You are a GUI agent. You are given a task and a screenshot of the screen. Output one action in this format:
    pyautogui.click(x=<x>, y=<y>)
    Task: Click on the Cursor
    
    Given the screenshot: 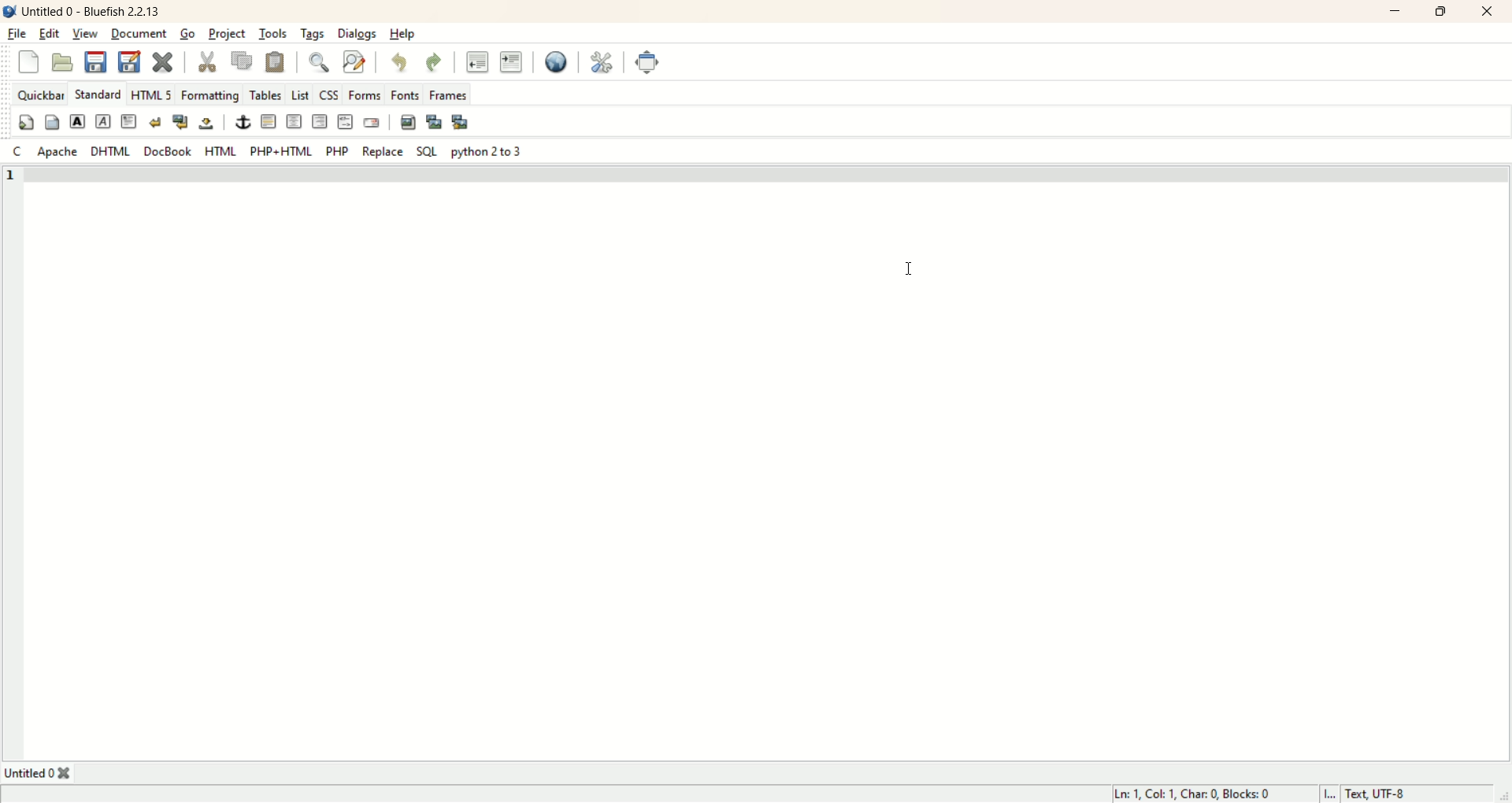 What is the action you would take?
    pyautogui.click(x=916, y=268)
    